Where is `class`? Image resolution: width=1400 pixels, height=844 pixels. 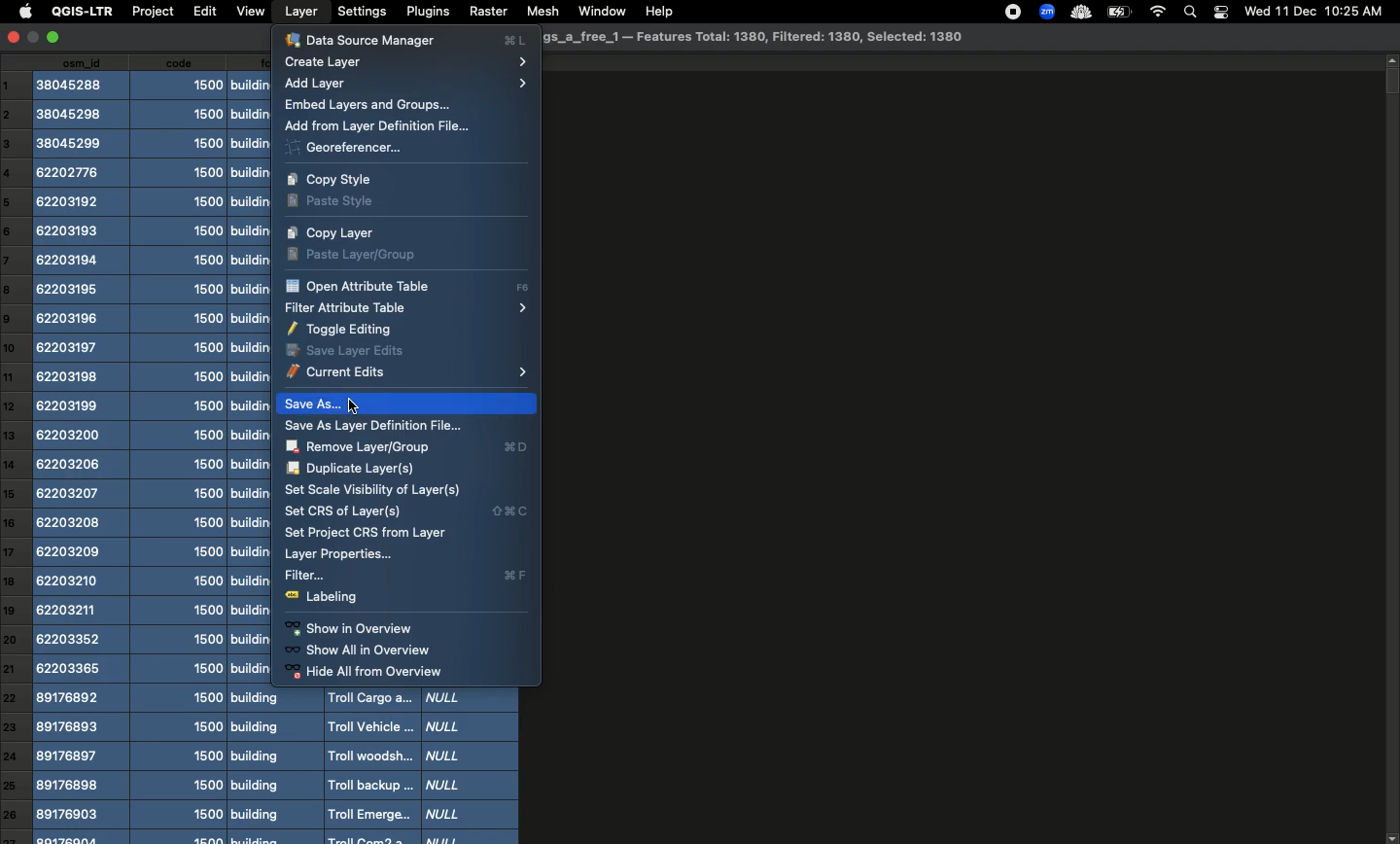
class is located at coordinates (249, 448).